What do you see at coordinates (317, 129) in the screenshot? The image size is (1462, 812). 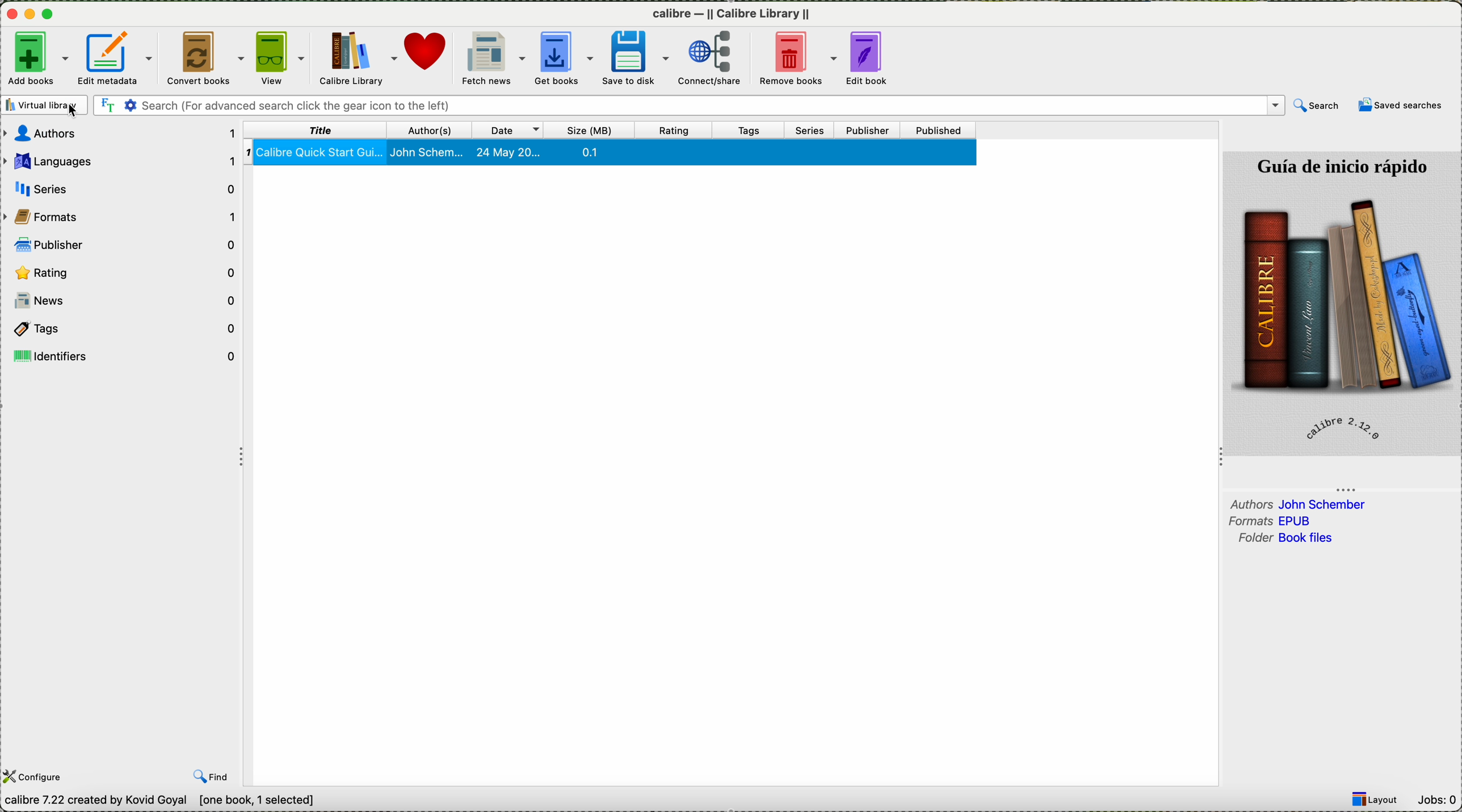 I see `title` at bounding box center [317, 129].